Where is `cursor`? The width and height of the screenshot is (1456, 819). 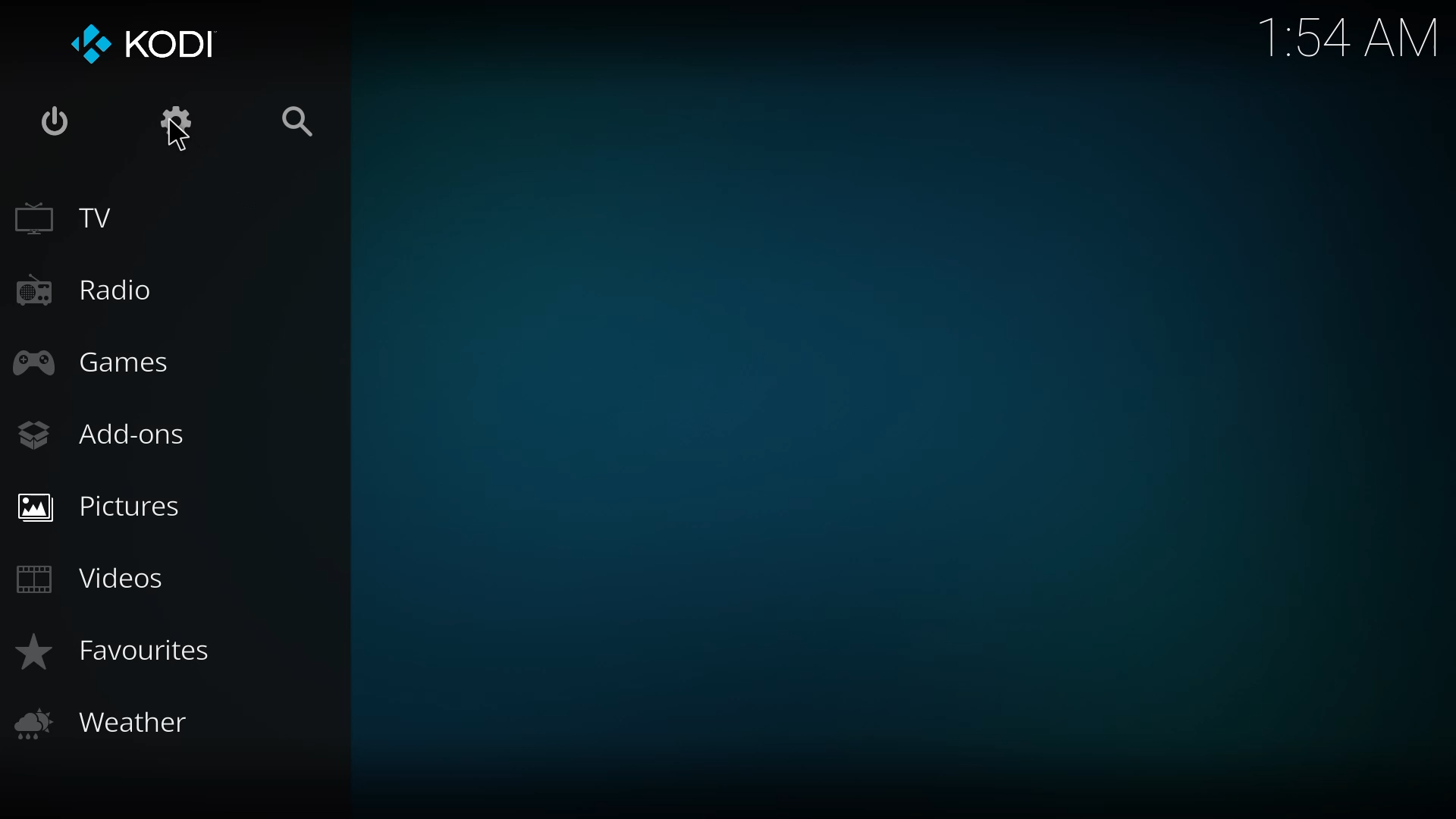 cursor is located at coordinates (177, 140).